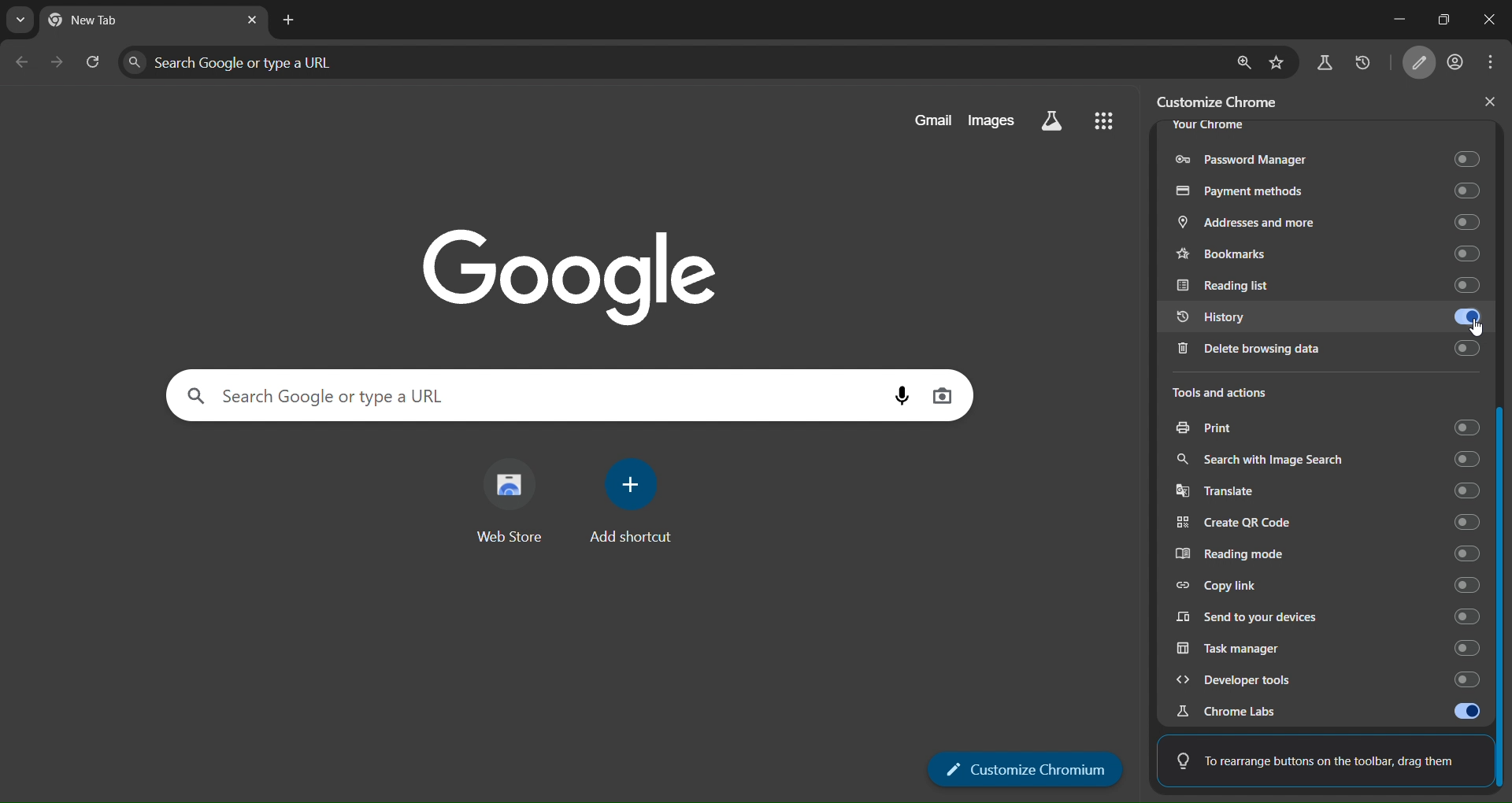  Describe the element at coordinates (1208, 125) in the screenshot. I see `your chrome` at that location.